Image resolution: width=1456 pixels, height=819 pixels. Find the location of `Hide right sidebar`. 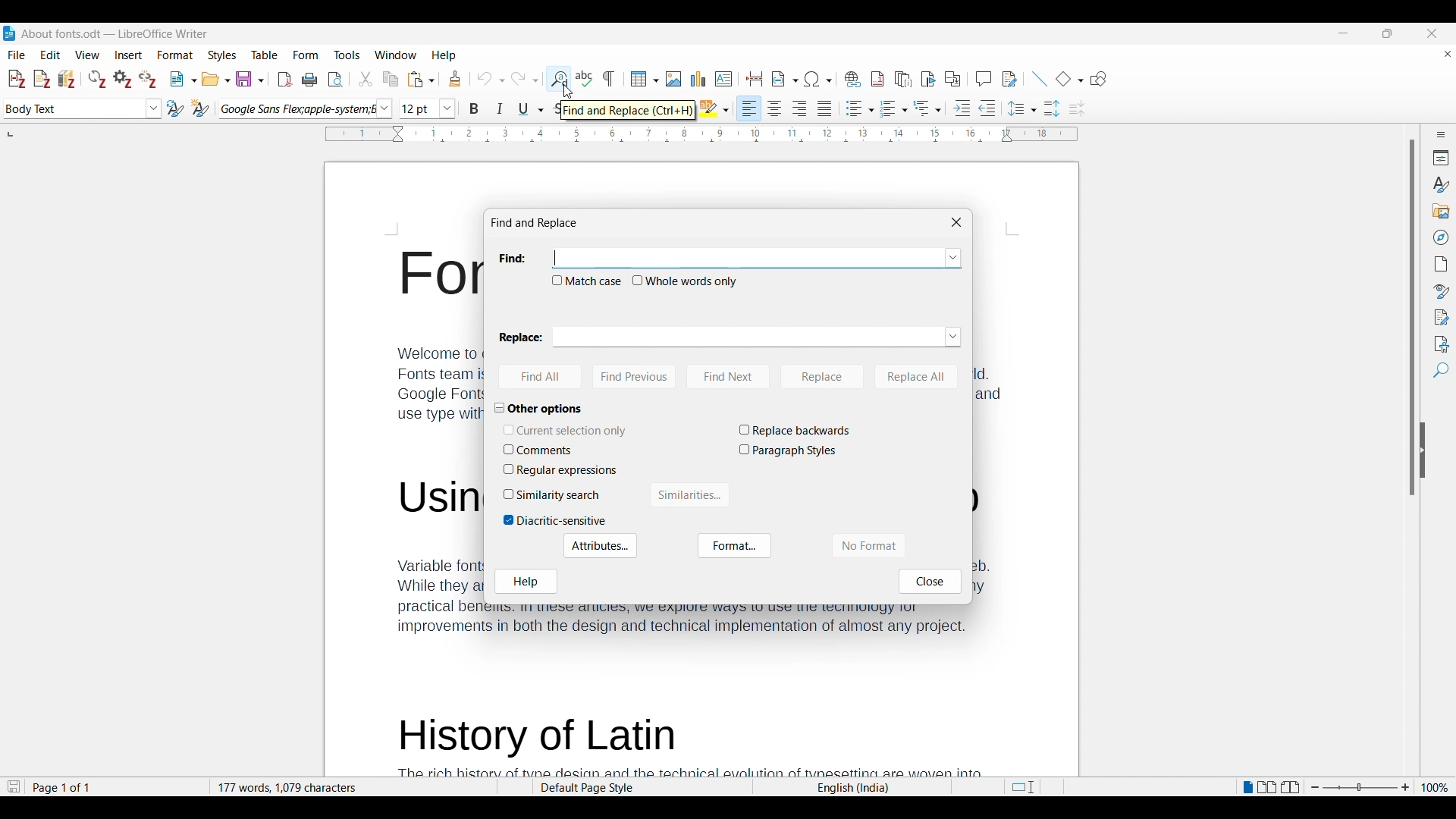

Hide right sidebar is located at coordinates (1423, 450).